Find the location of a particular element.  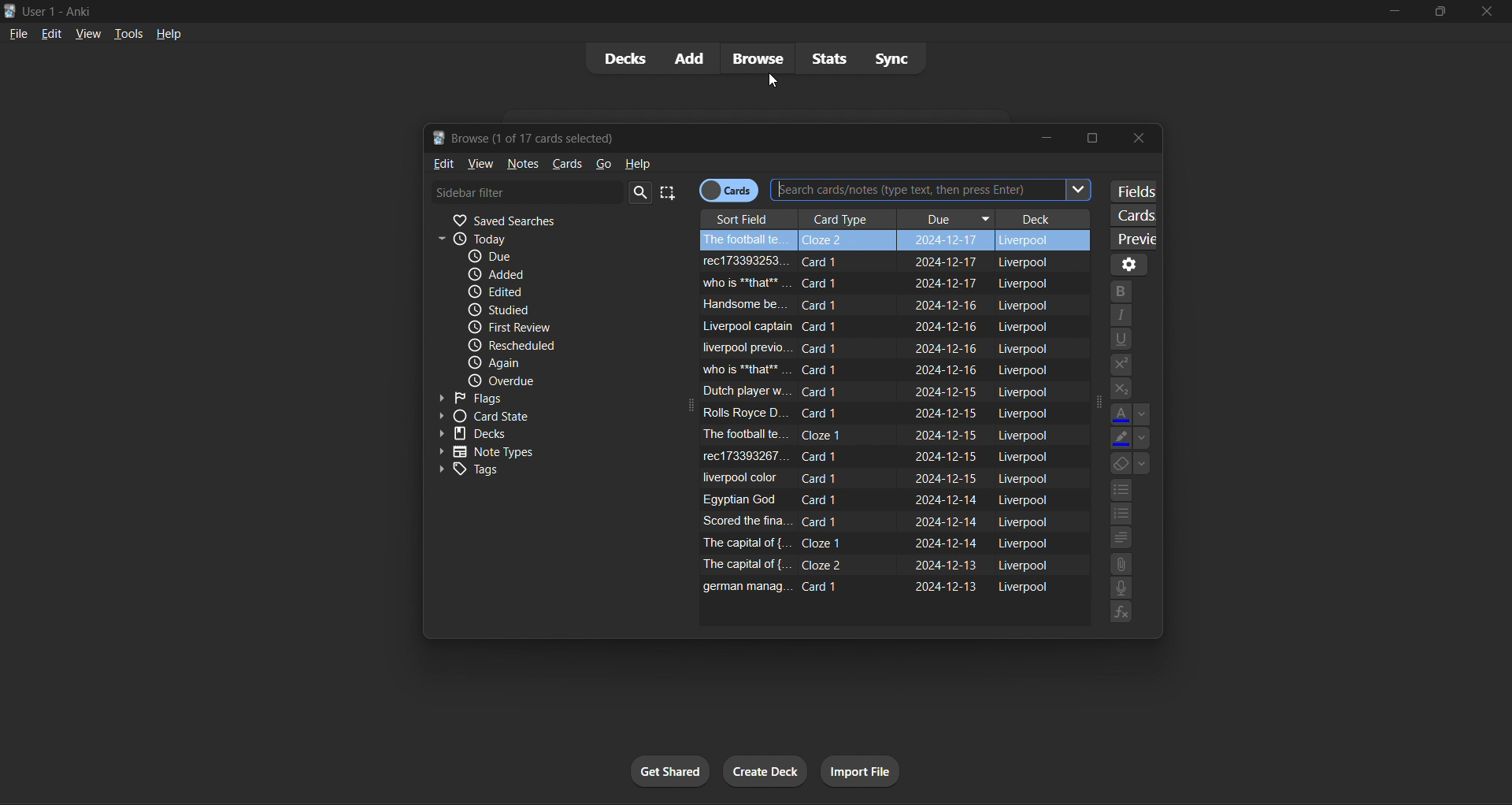

liverpool is located at coordinates (1032, 412).